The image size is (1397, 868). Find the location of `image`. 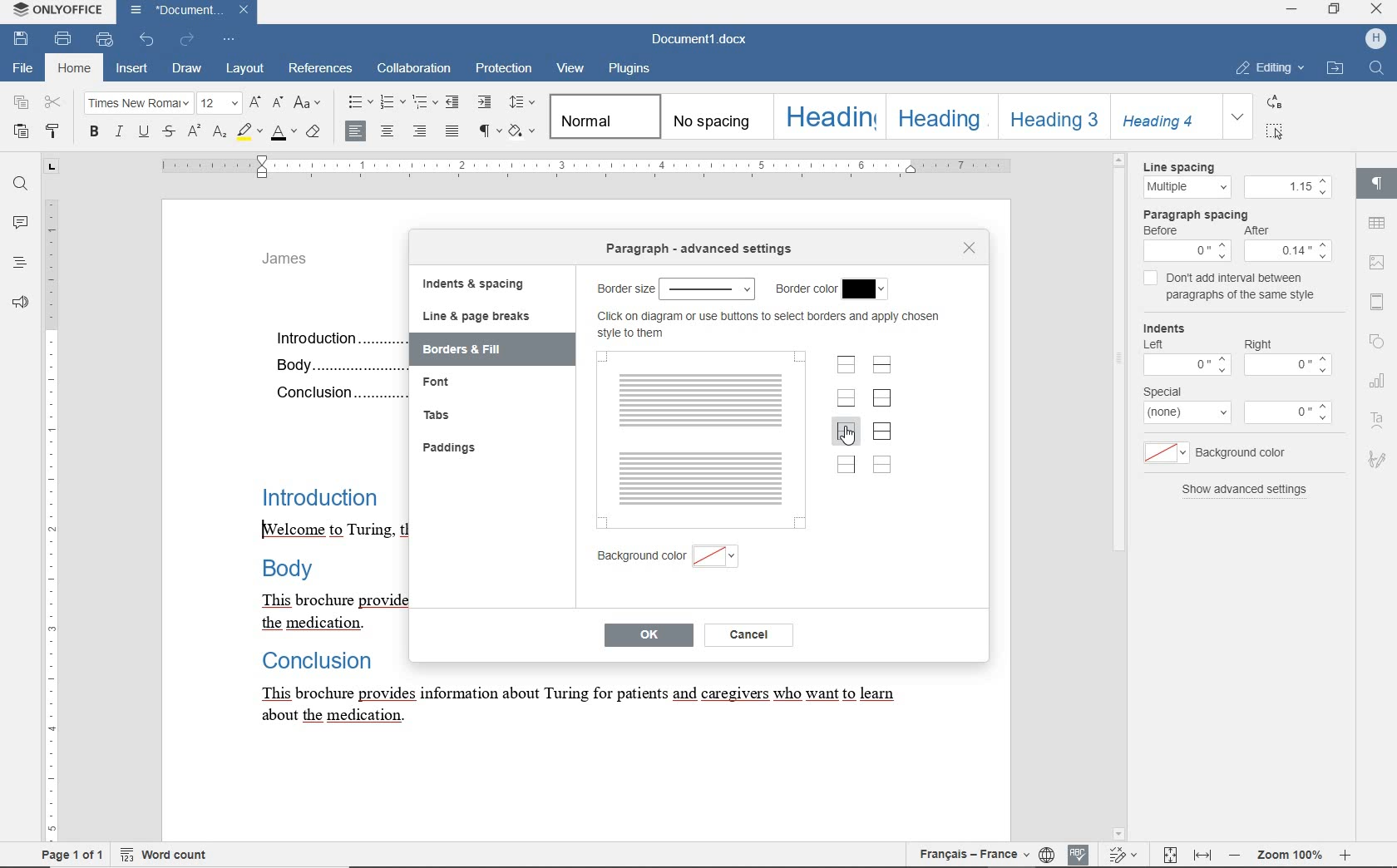

image is located at coordinates (1378, 262).